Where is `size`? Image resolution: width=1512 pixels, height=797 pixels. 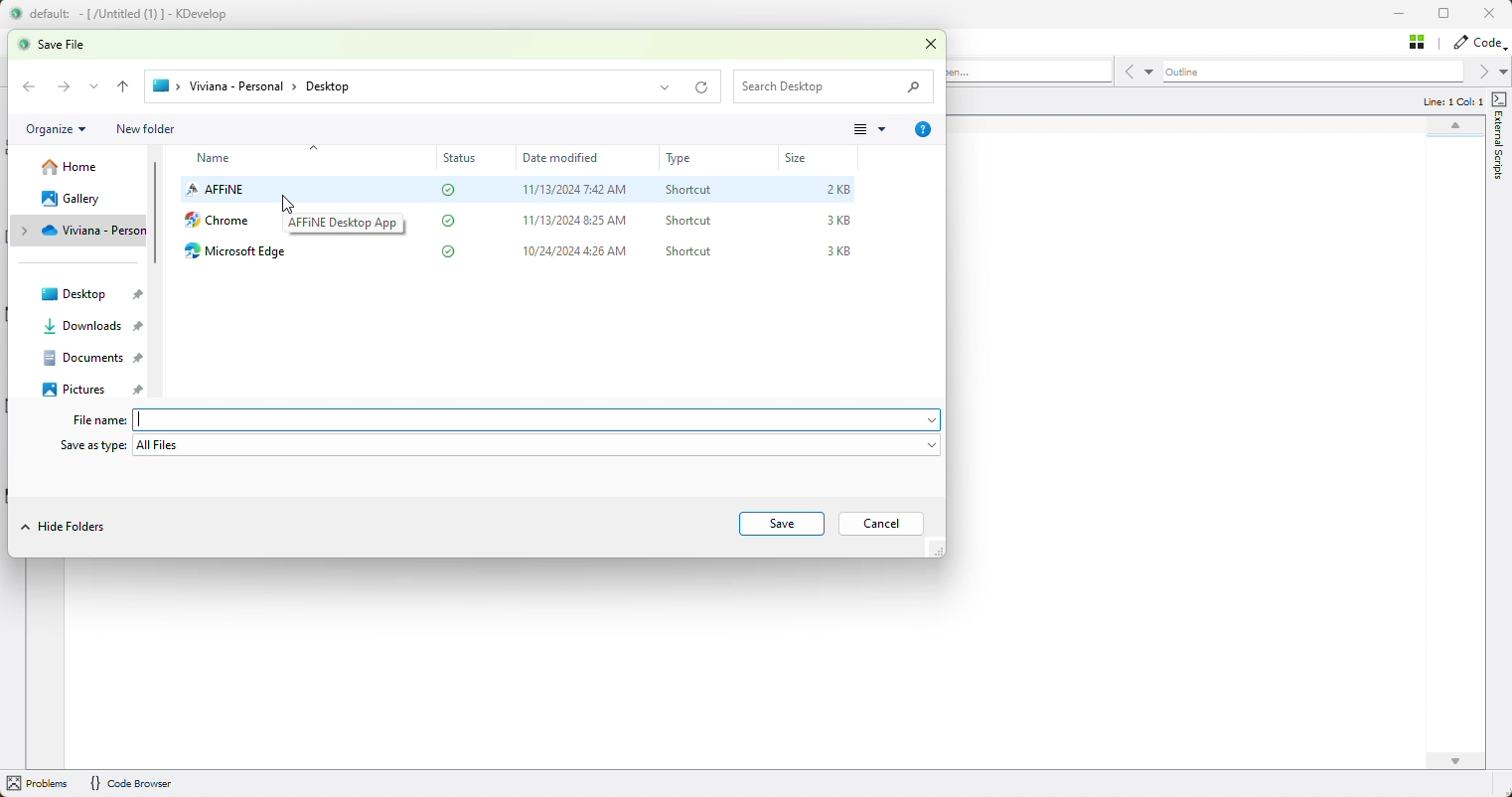
size is located at coordinates (805, 158).